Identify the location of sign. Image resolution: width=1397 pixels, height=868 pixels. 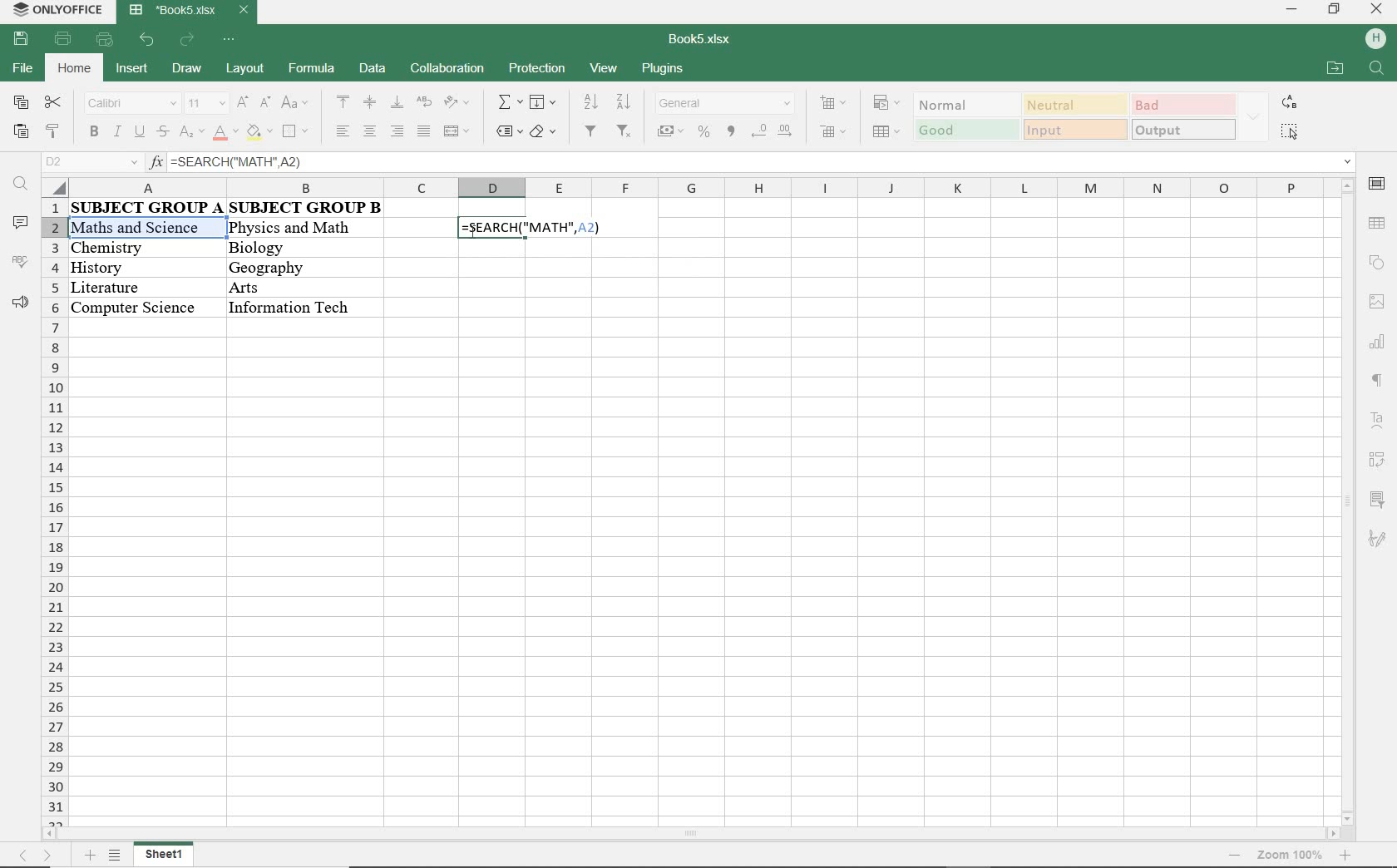
(1378, 223).